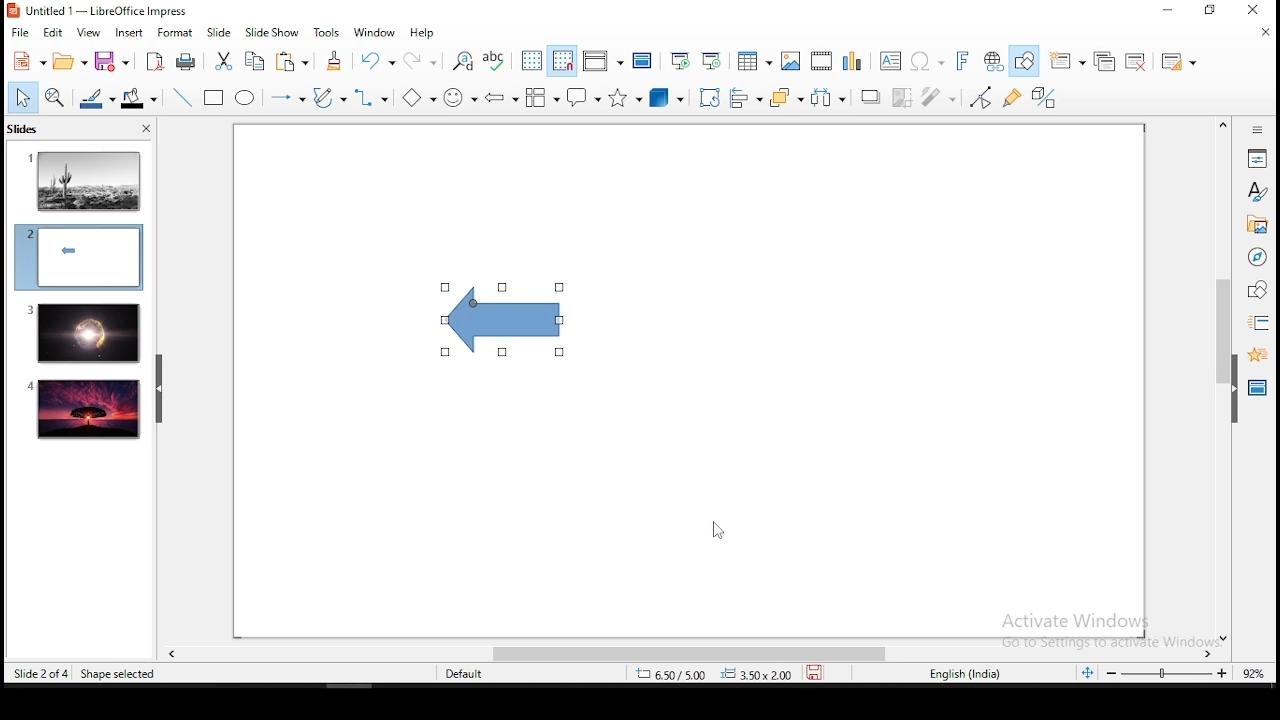  Describe the element at coordinates (751, 59) in the screenshot. I see `tables` at that location.